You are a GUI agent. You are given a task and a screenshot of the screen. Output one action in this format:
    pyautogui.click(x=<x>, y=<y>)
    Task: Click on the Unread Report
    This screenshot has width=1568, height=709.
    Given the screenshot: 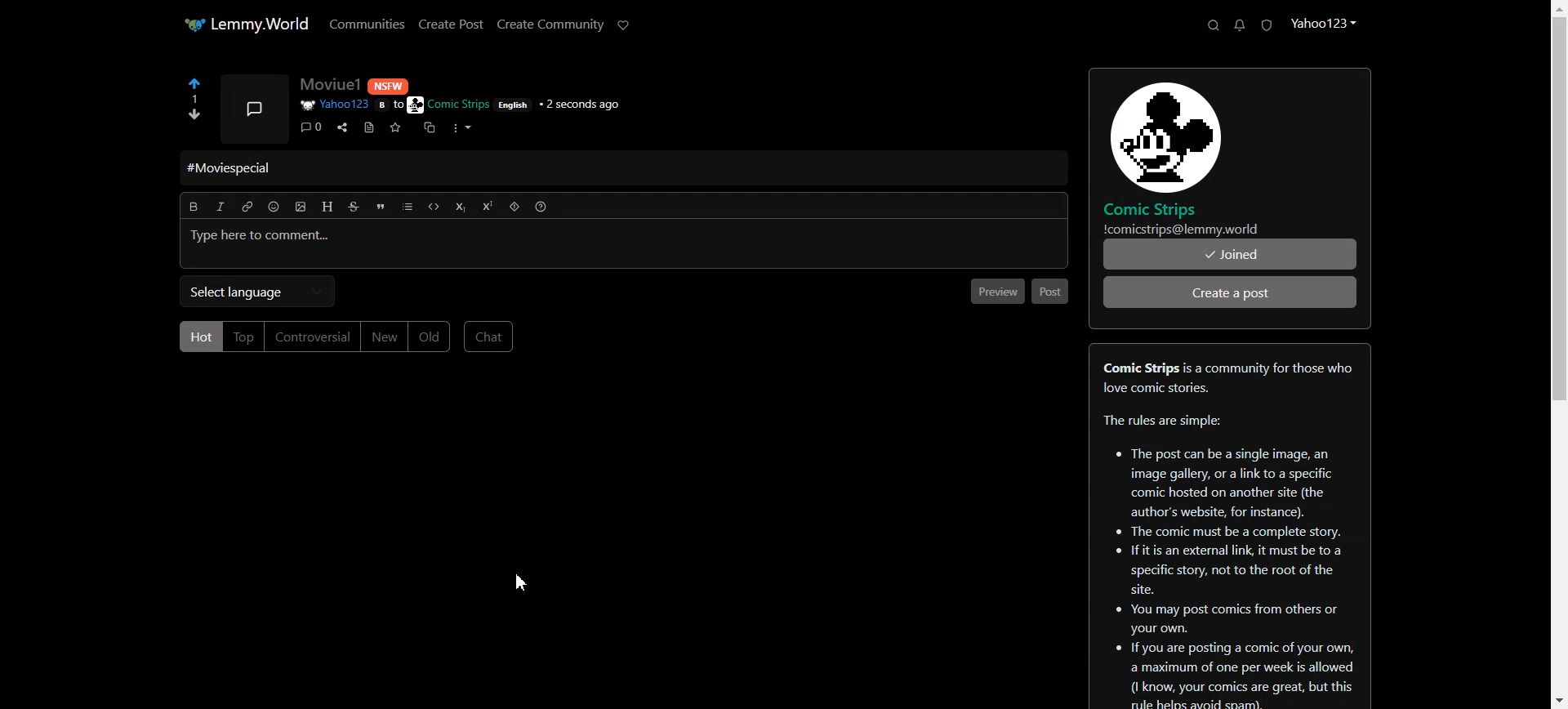 What is the action you would take?
    pyautogui.click(x=1267, y=25)
    